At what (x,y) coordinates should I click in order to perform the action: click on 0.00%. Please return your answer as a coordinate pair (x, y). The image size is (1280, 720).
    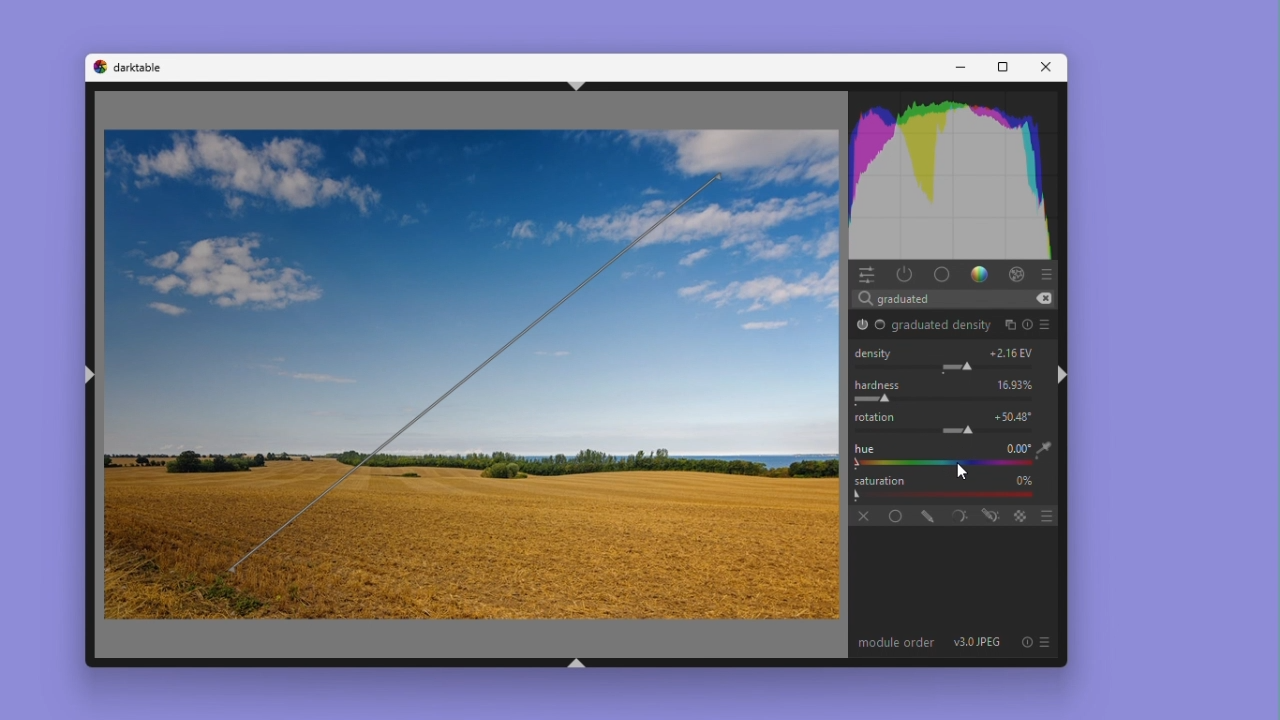
    Looking at the image, I should click on (1017, 384).